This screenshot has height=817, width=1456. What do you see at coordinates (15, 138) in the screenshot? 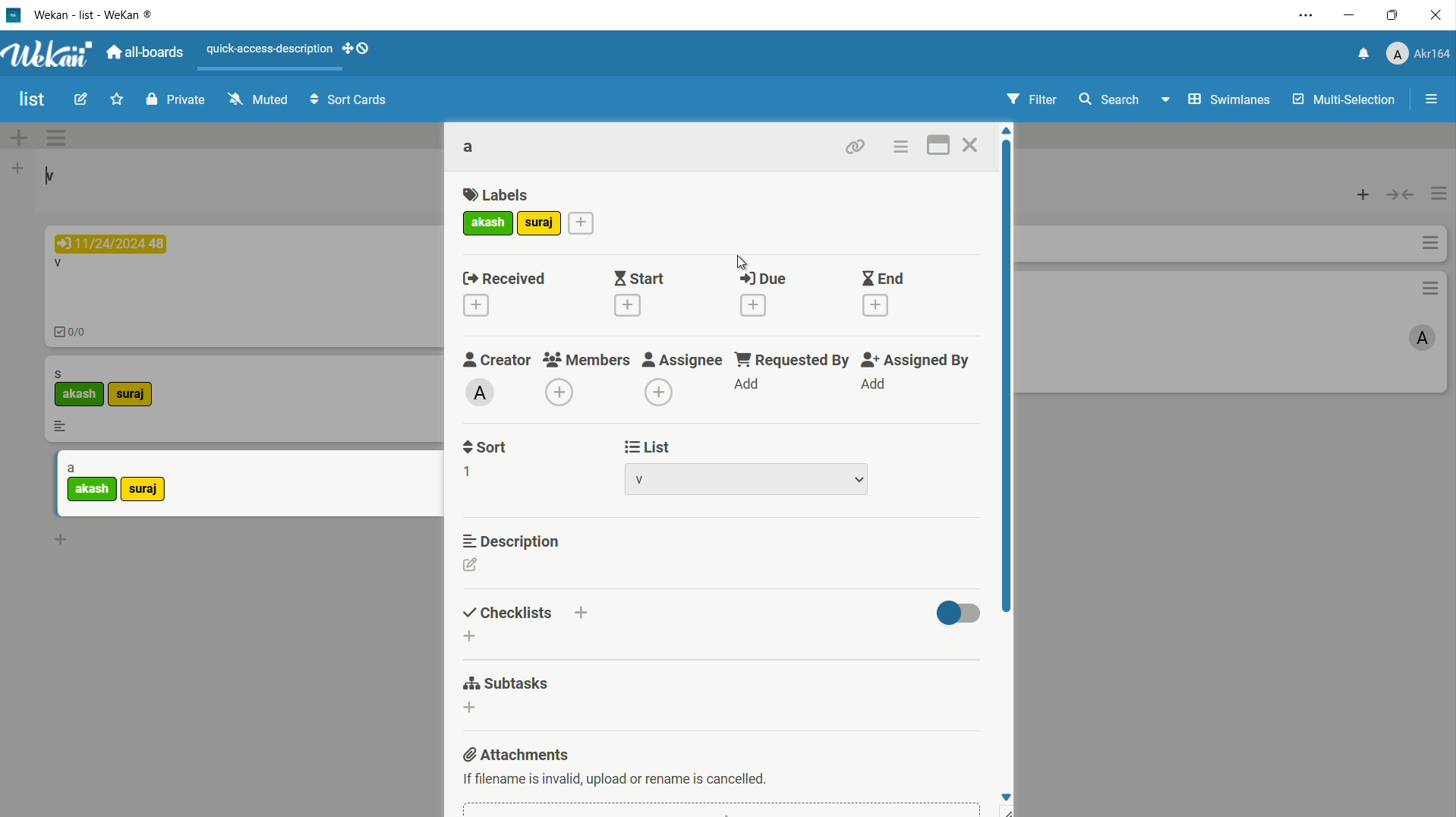
I see `add` at bounding box center [15, 138].